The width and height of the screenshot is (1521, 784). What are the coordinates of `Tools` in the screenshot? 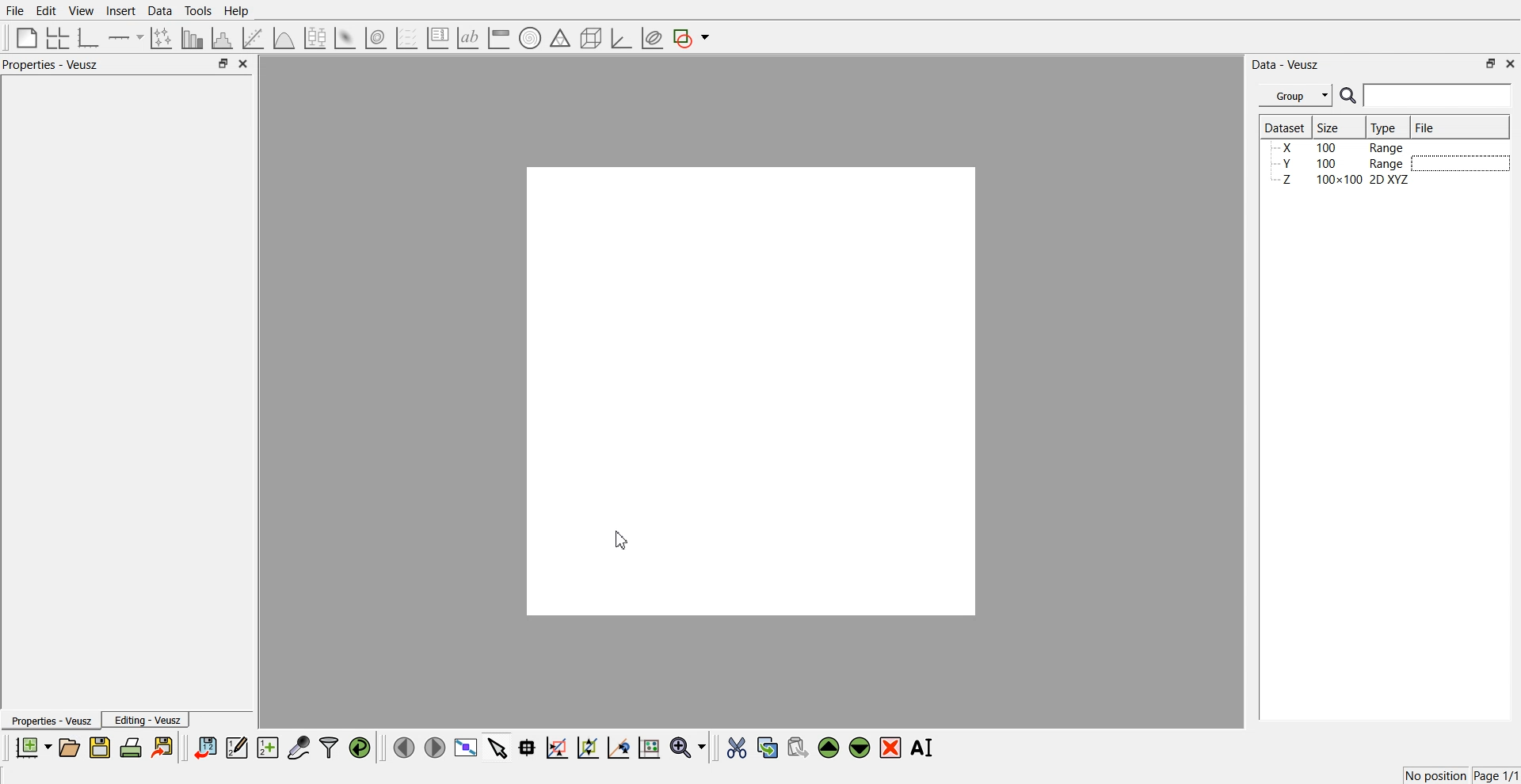 It's located at (199, 11).